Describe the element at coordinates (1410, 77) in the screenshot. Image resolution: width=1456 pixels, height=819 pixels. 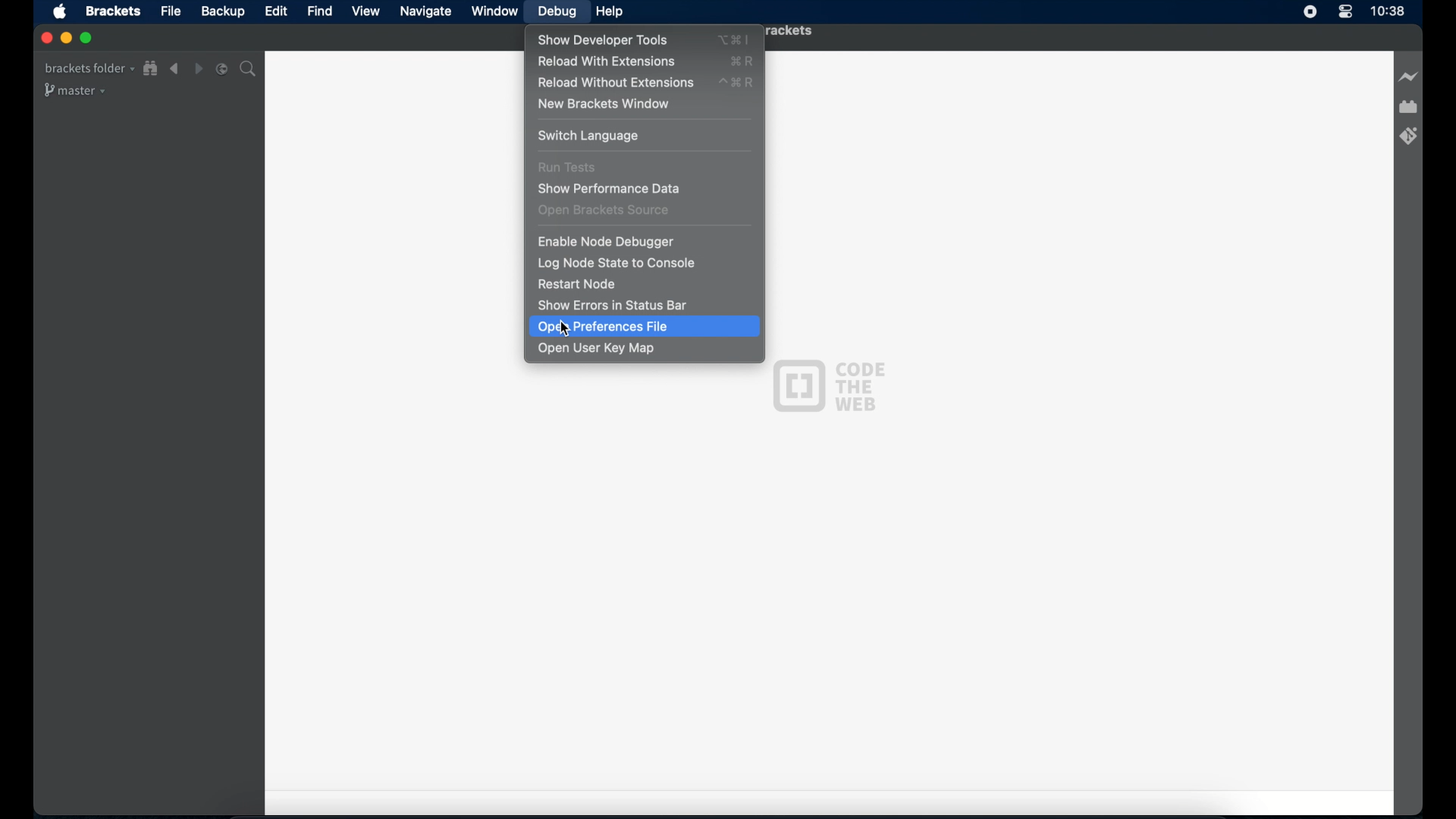
I see `live preview` at that location.